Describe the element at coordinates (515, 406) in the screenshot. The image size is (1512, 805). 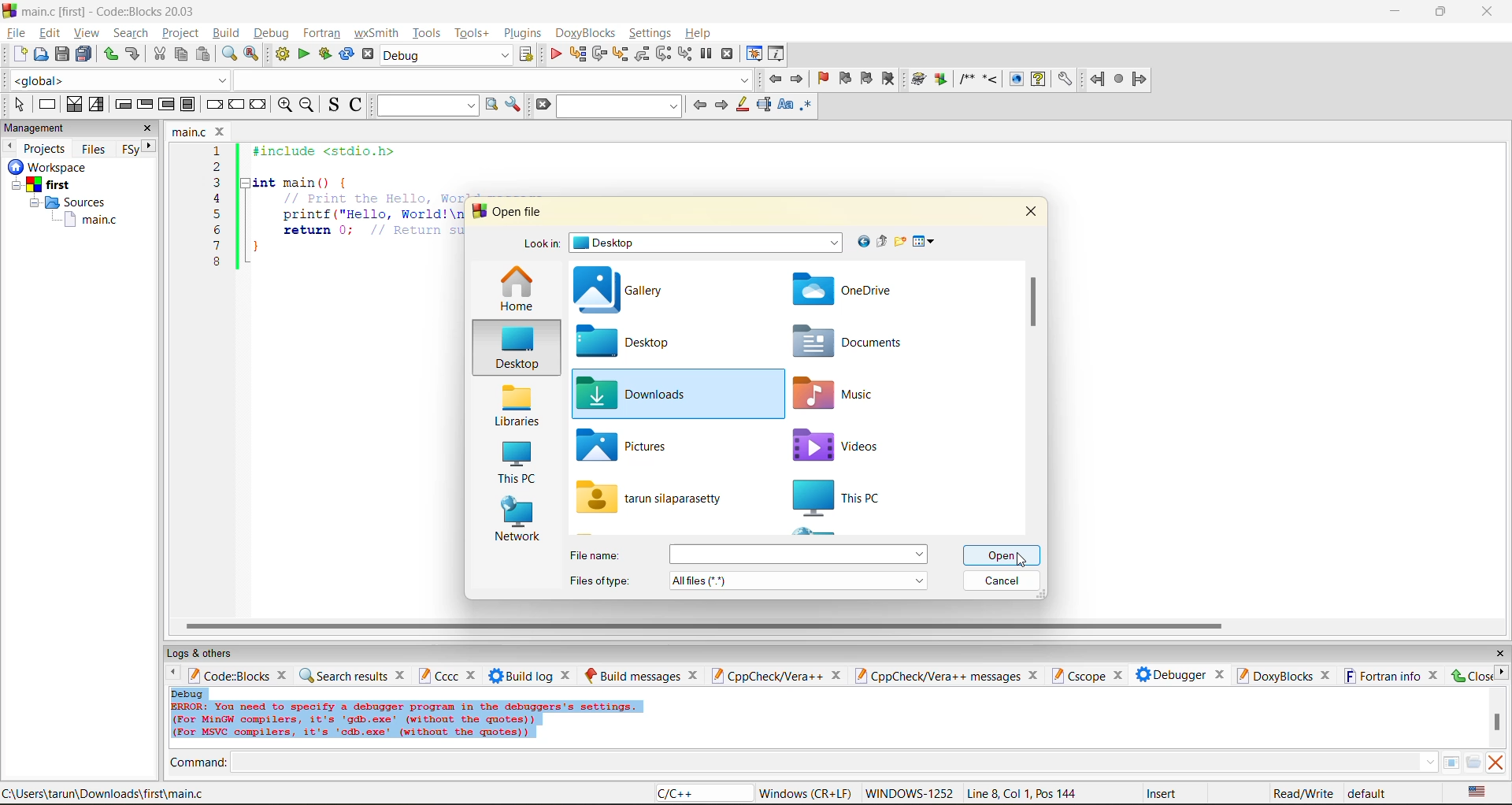
I see `libraries` at that location.